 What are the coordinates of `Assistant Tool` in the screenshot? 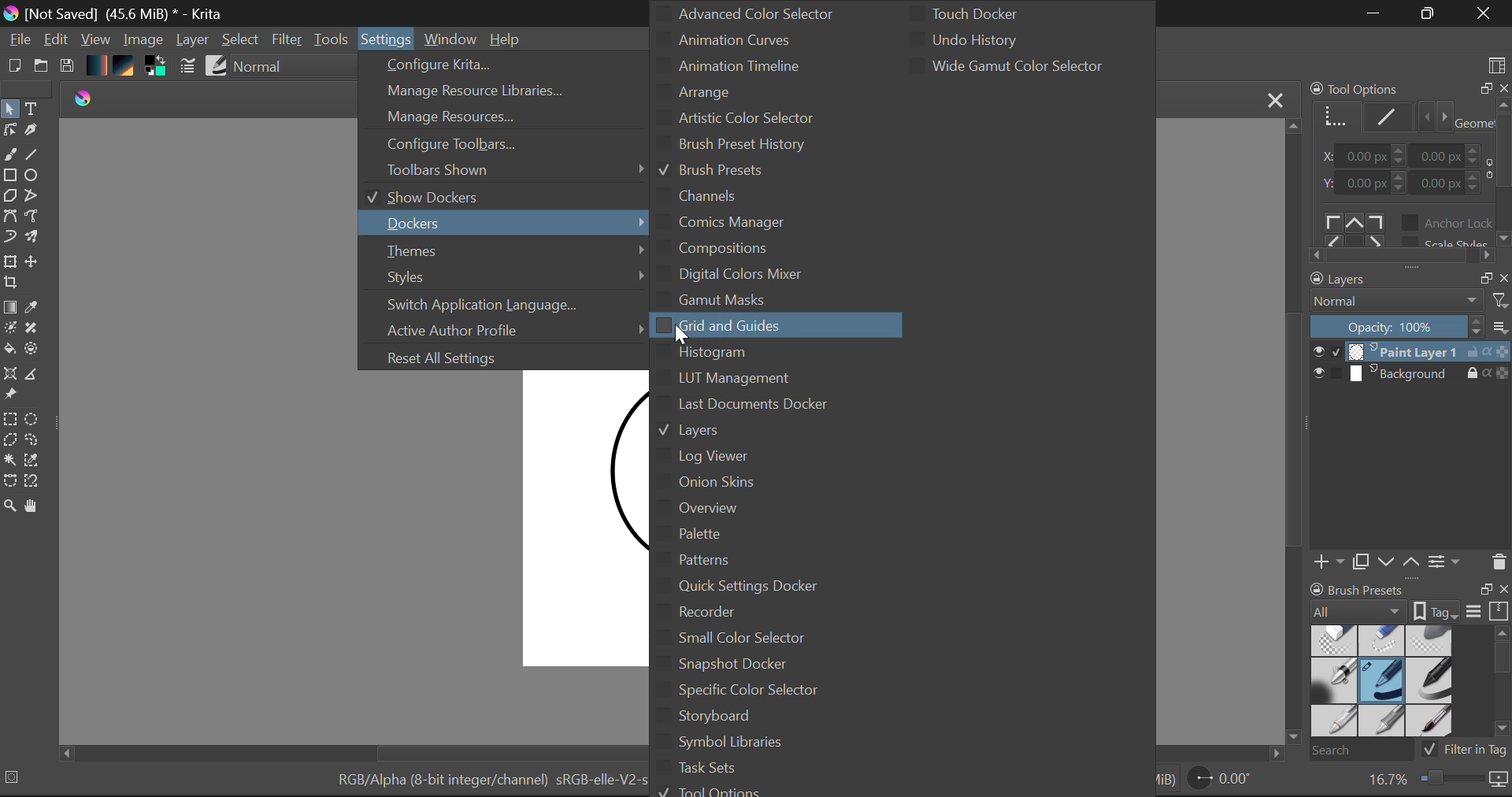 It's located at (11, 375).